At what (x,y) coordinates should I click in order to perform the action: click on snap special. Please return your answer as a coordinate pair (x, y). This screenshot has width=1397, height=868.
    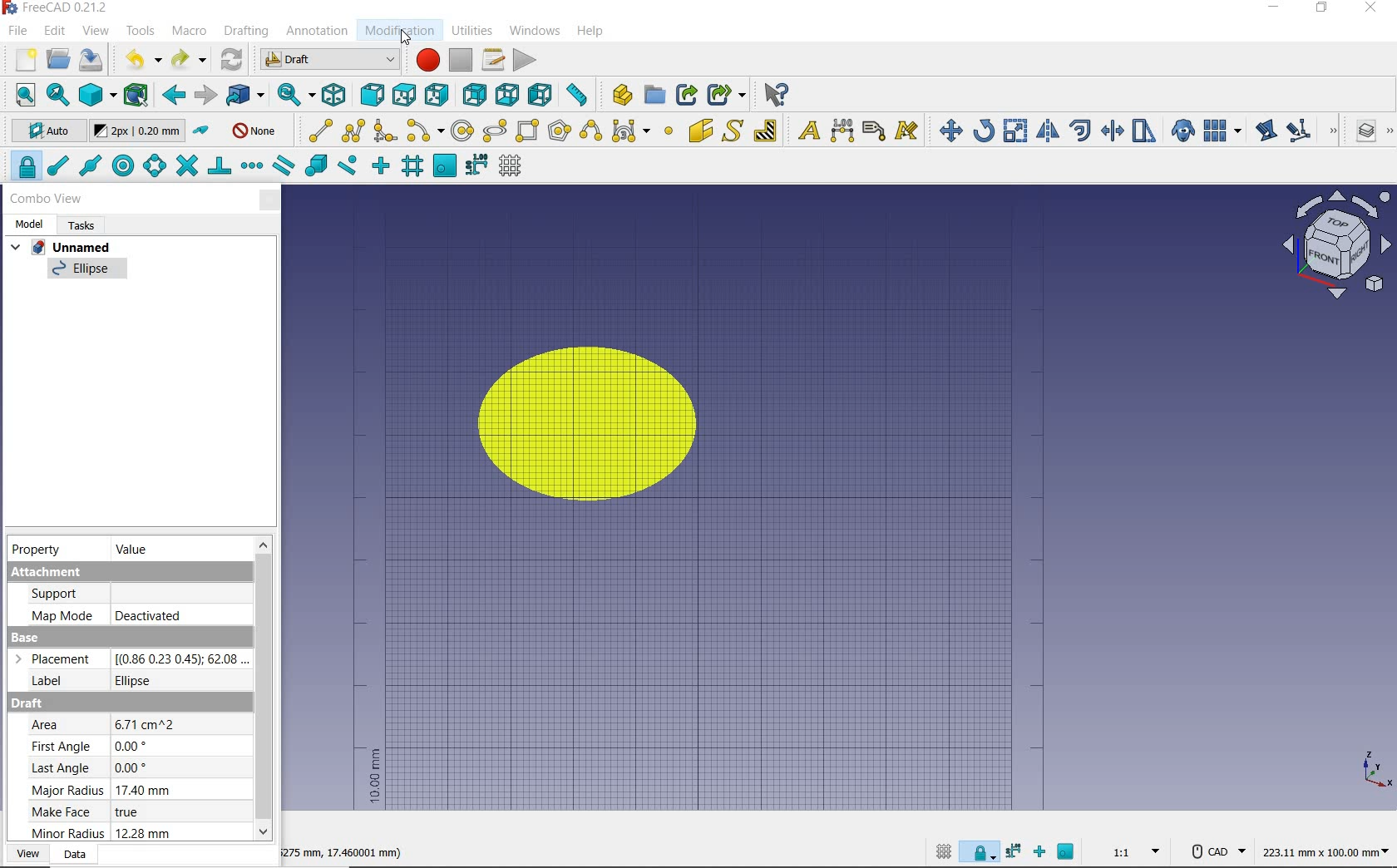
    Looking at the image, I should click on (315, 167).